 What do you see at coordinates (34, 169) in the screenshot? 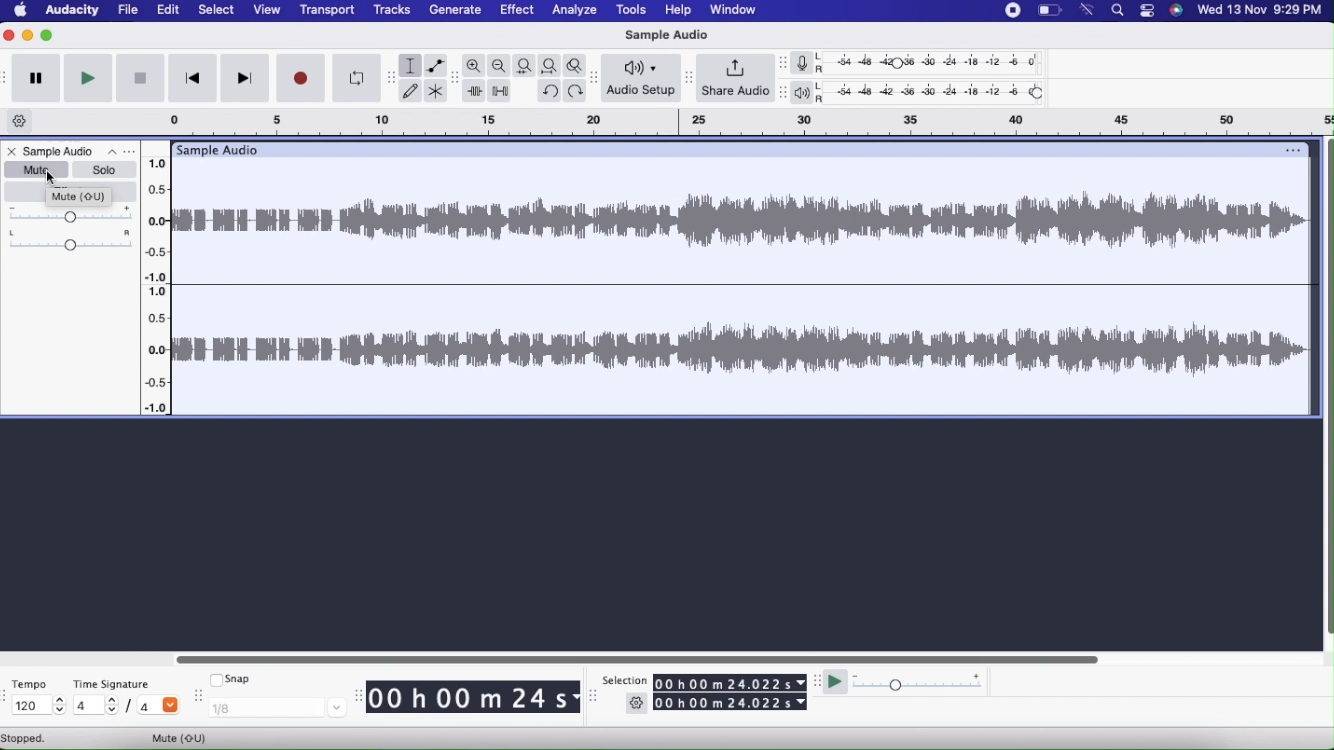
I see `Mute` at bounding box center [34, 169].